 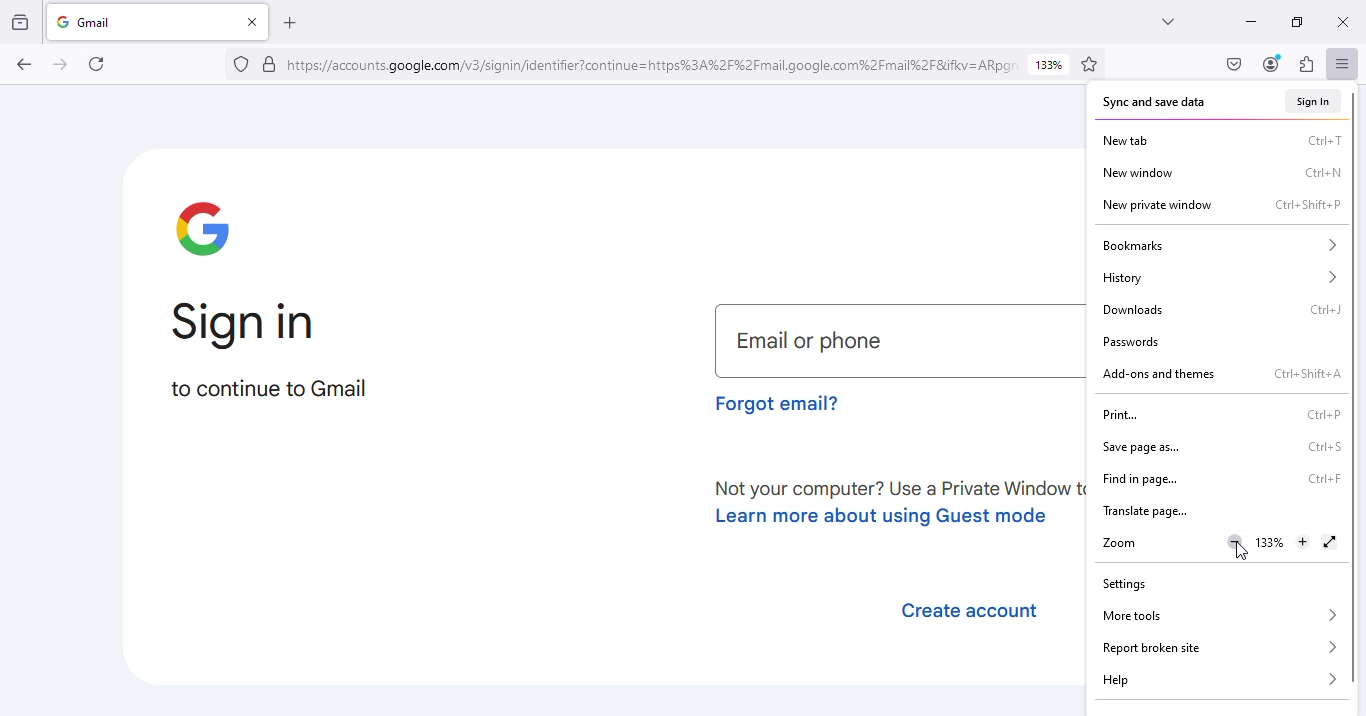 What do you see at coordinates (203, 228) in the screenshot?
I see `google logo` at bounding box center [203, 228].